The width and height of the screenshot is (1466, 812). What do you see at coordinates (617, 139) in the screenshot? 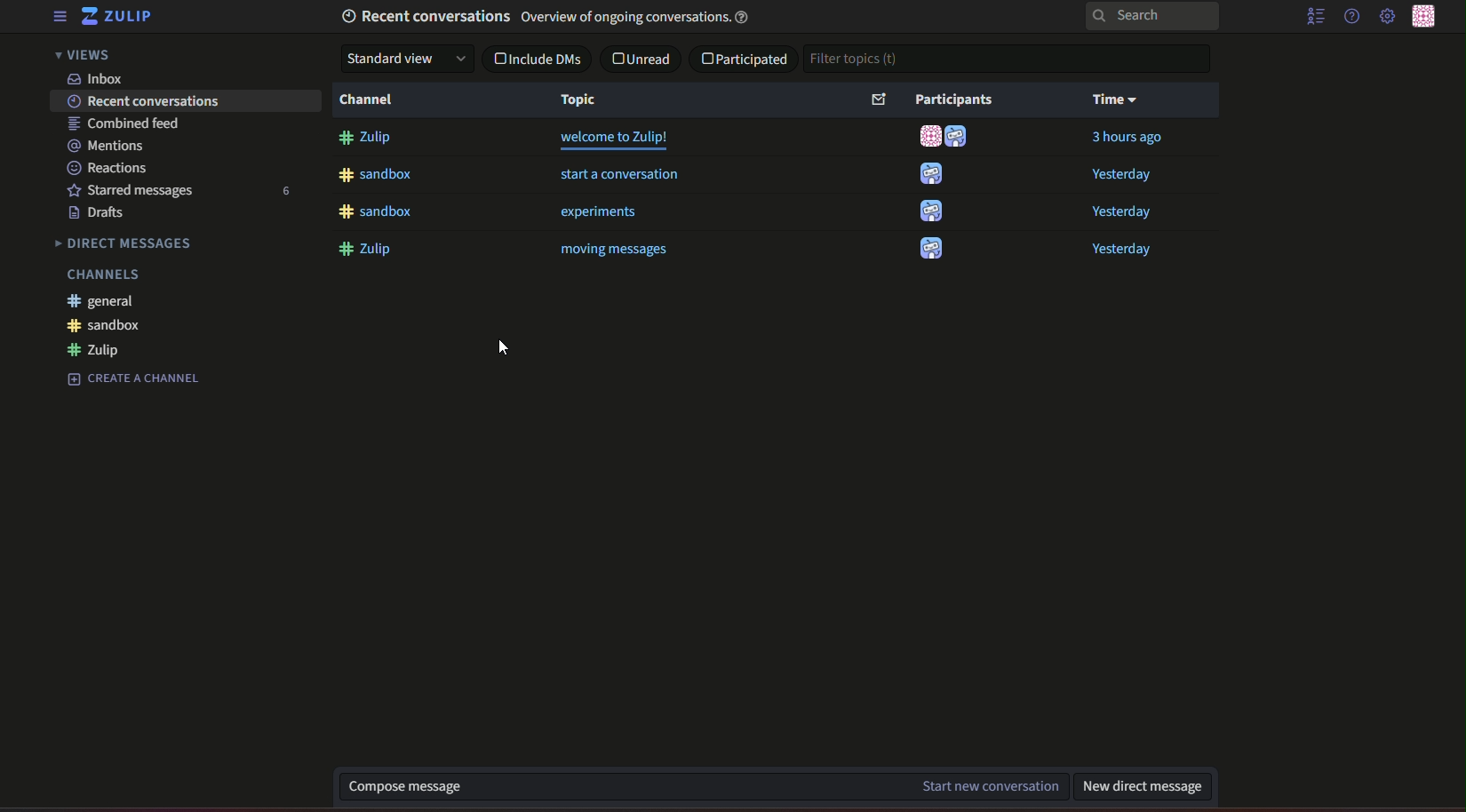
I see `welcome to Zulip!` at bounding box center [617, 139].